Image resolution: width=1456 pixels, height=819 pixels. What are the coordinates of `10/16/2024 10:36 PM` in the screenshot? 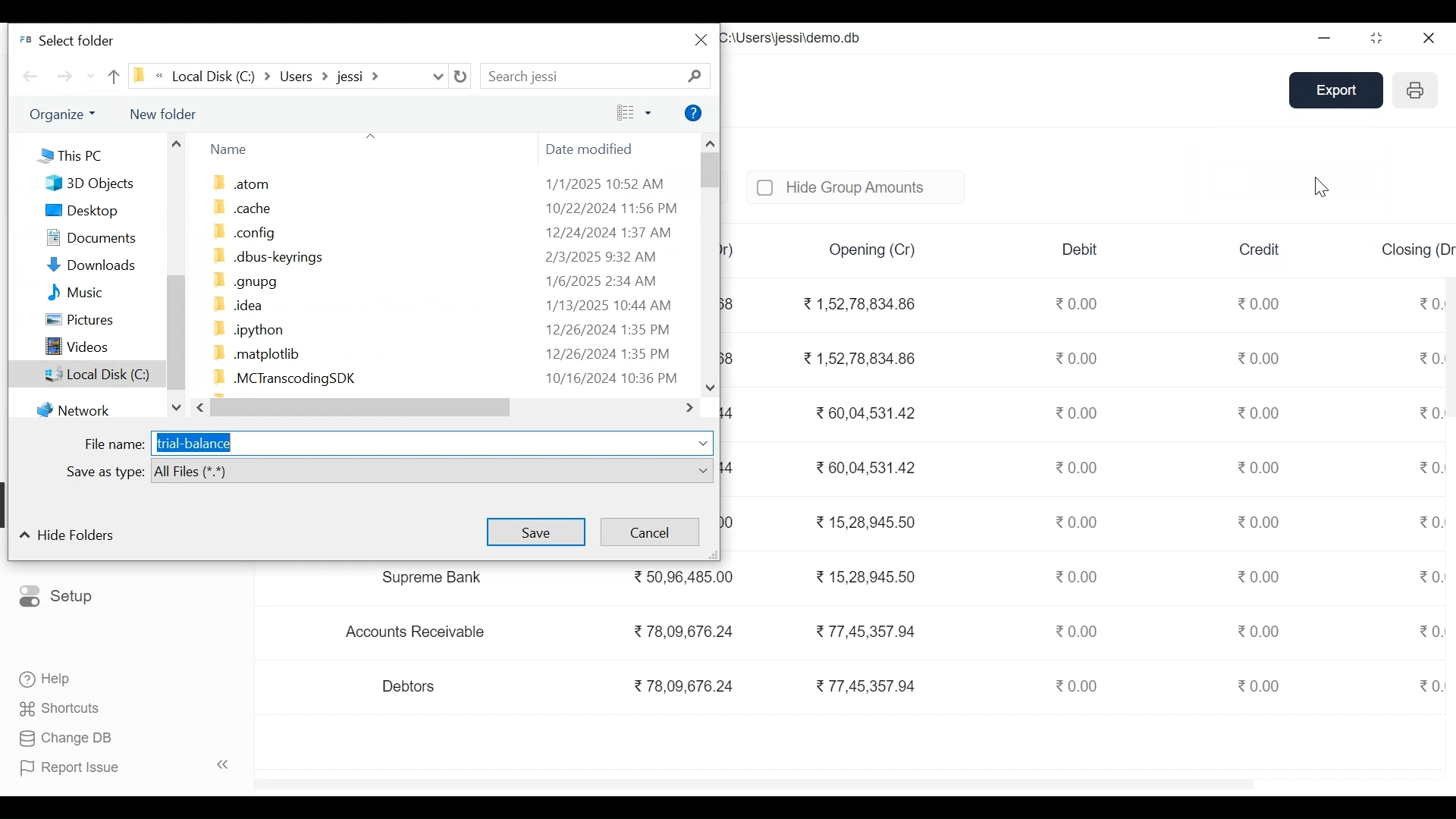 It's located at (614, 379).